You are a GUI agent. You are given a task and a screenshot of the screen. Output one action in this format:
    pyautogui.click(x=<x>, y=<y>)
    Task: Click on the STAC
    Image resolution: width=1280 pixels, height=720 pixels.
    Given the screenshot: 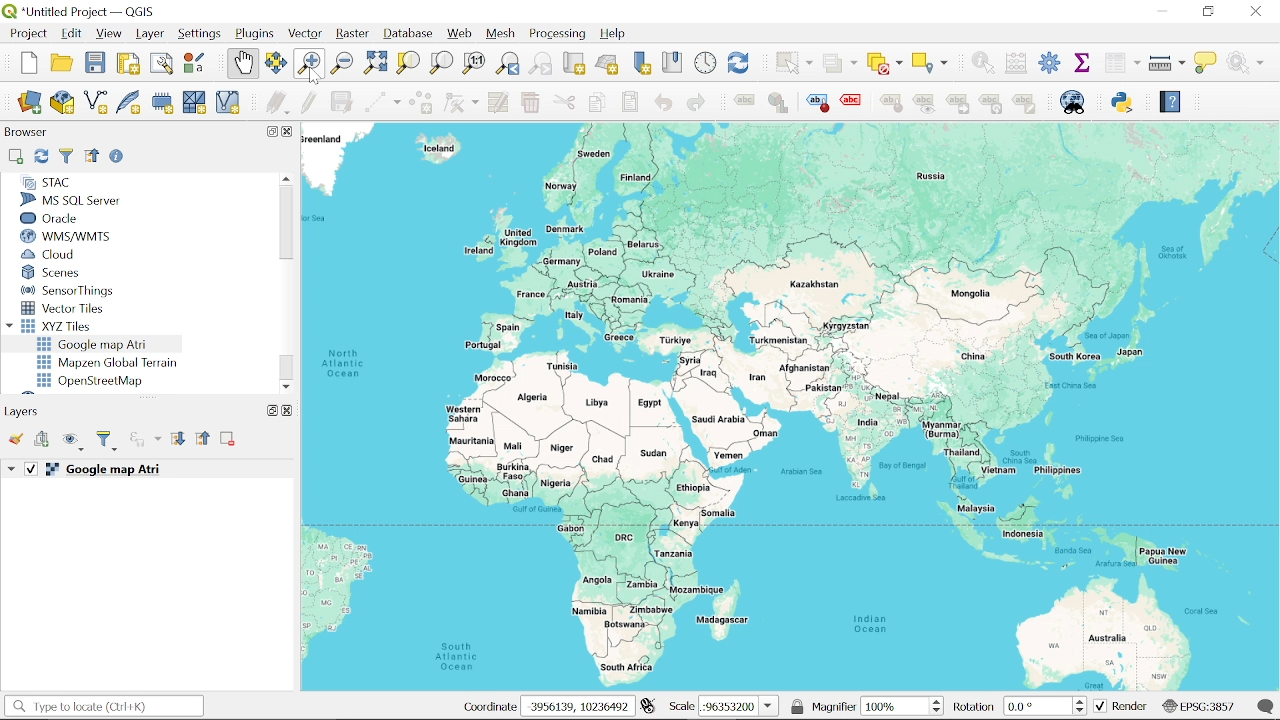 What is the action you would take?
    pyautogui.click(x=46, y=182)
    